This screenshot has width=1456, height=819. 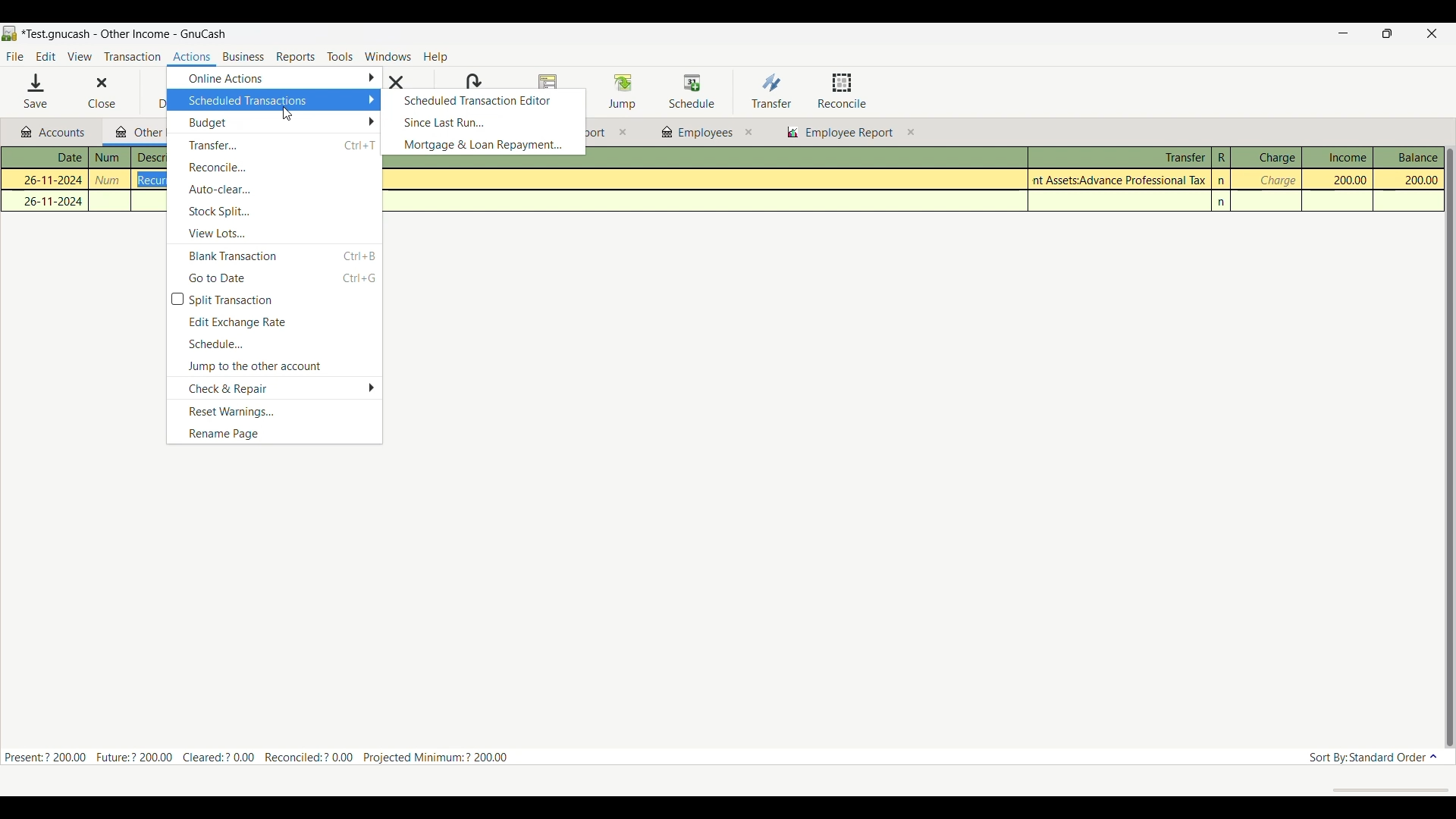 What do you see at coordinates (484, 122) in the screenshot?
I see `Since last run` at bounding box center [484, 122].